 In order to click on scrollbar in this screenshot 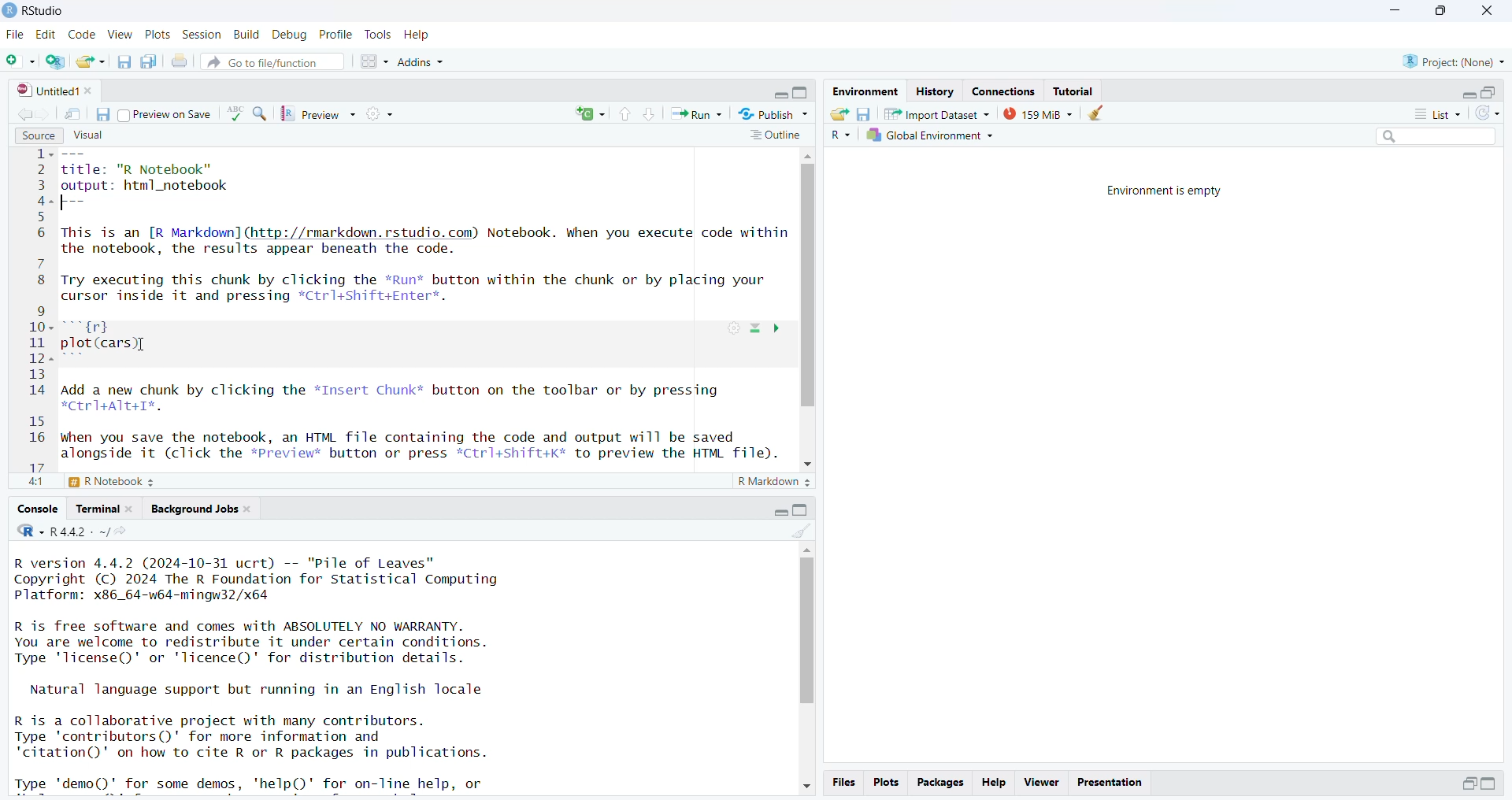, I will do `click(810, 311)`.